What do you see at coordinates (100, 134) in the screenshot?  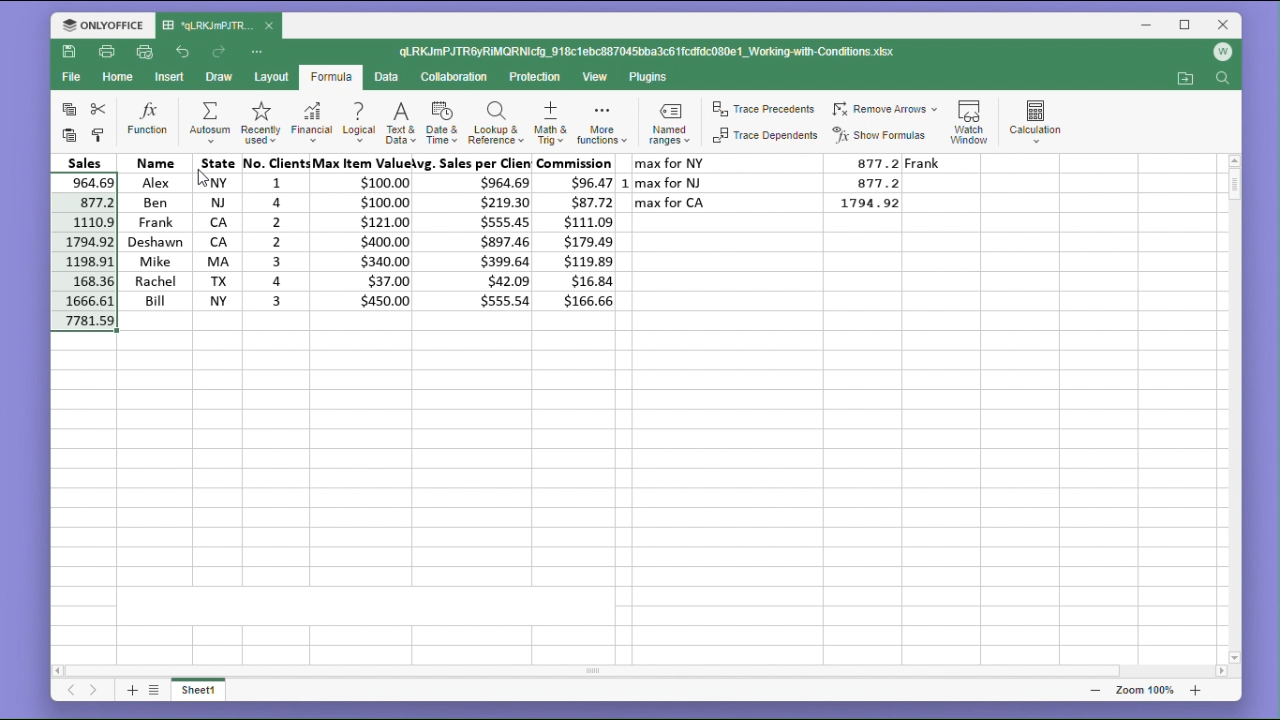 I see `format painter` at bounding box center [100, 134].